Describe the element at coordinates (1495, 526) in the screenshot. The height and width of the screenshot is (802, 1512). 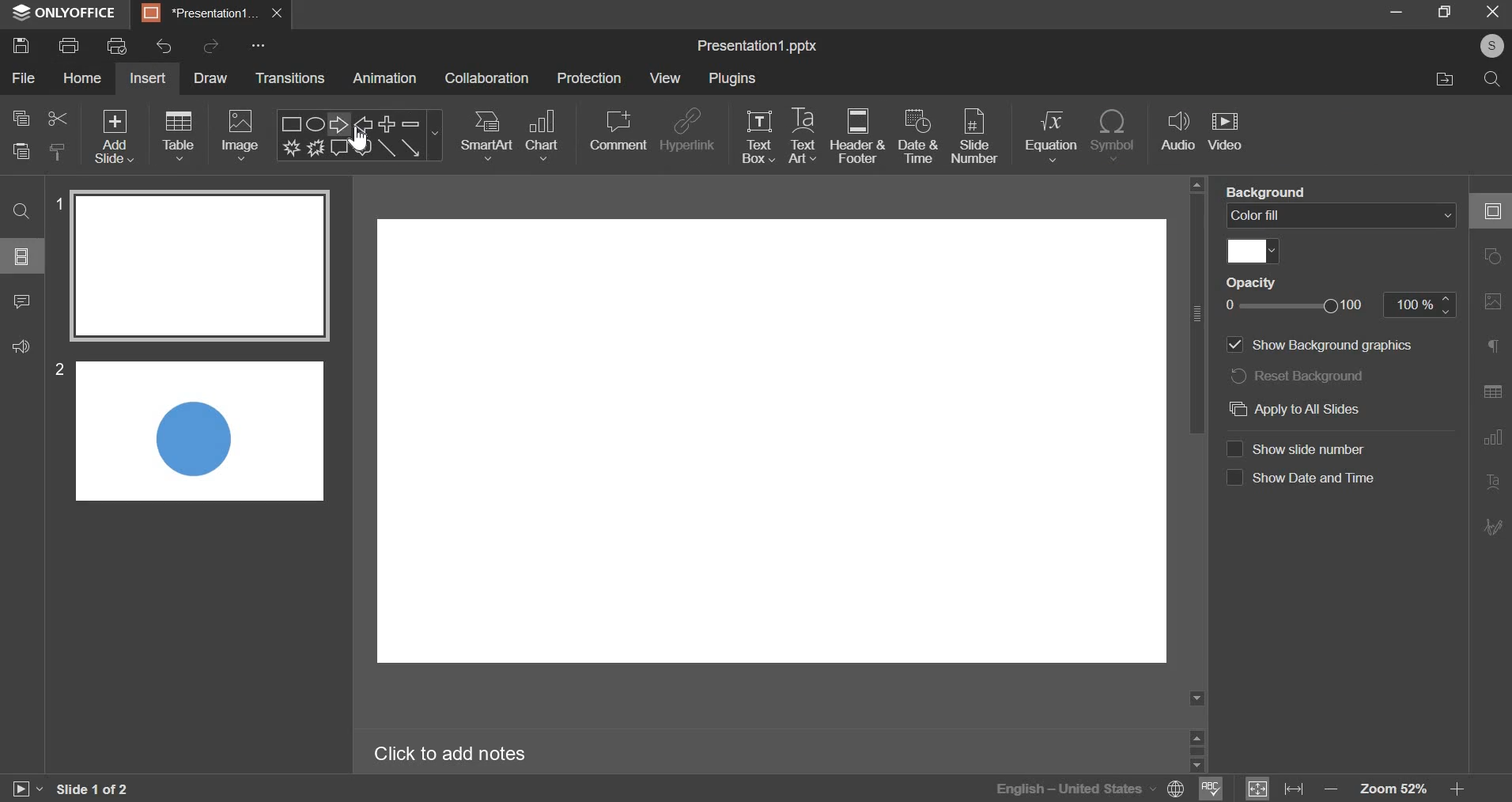
I see `Signature settings` at that location.